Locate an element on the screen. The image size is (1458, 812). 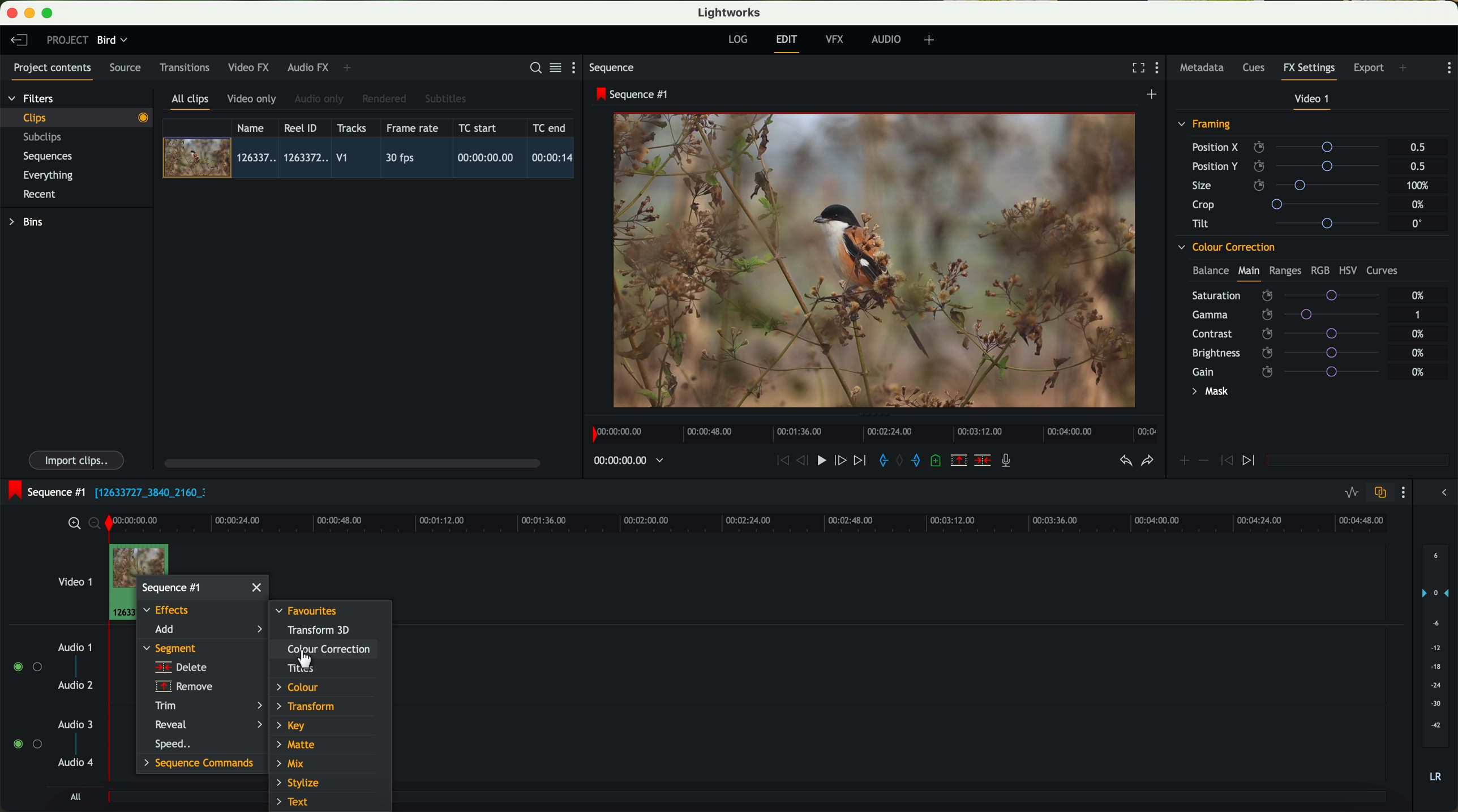
1 is located at coordinates (1418, 316).